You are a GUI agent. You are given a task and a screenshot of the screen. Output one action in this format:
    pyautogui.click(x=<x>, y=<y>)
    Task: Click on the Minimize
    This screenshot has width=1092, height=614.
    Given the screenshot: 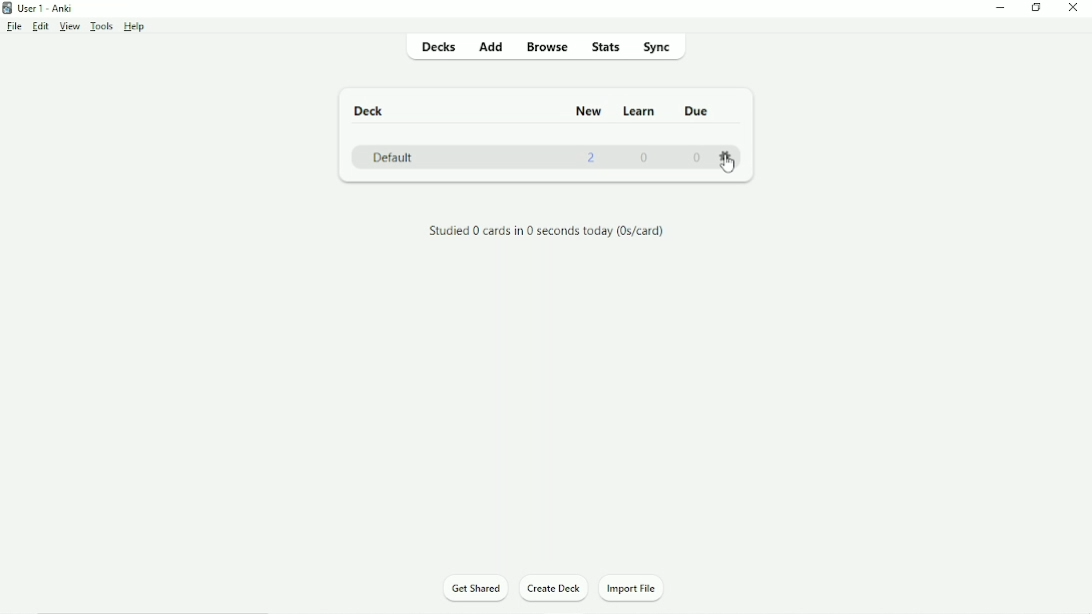 What is the action you would take?
    pyautogui.click(x=1001, y=9)
    